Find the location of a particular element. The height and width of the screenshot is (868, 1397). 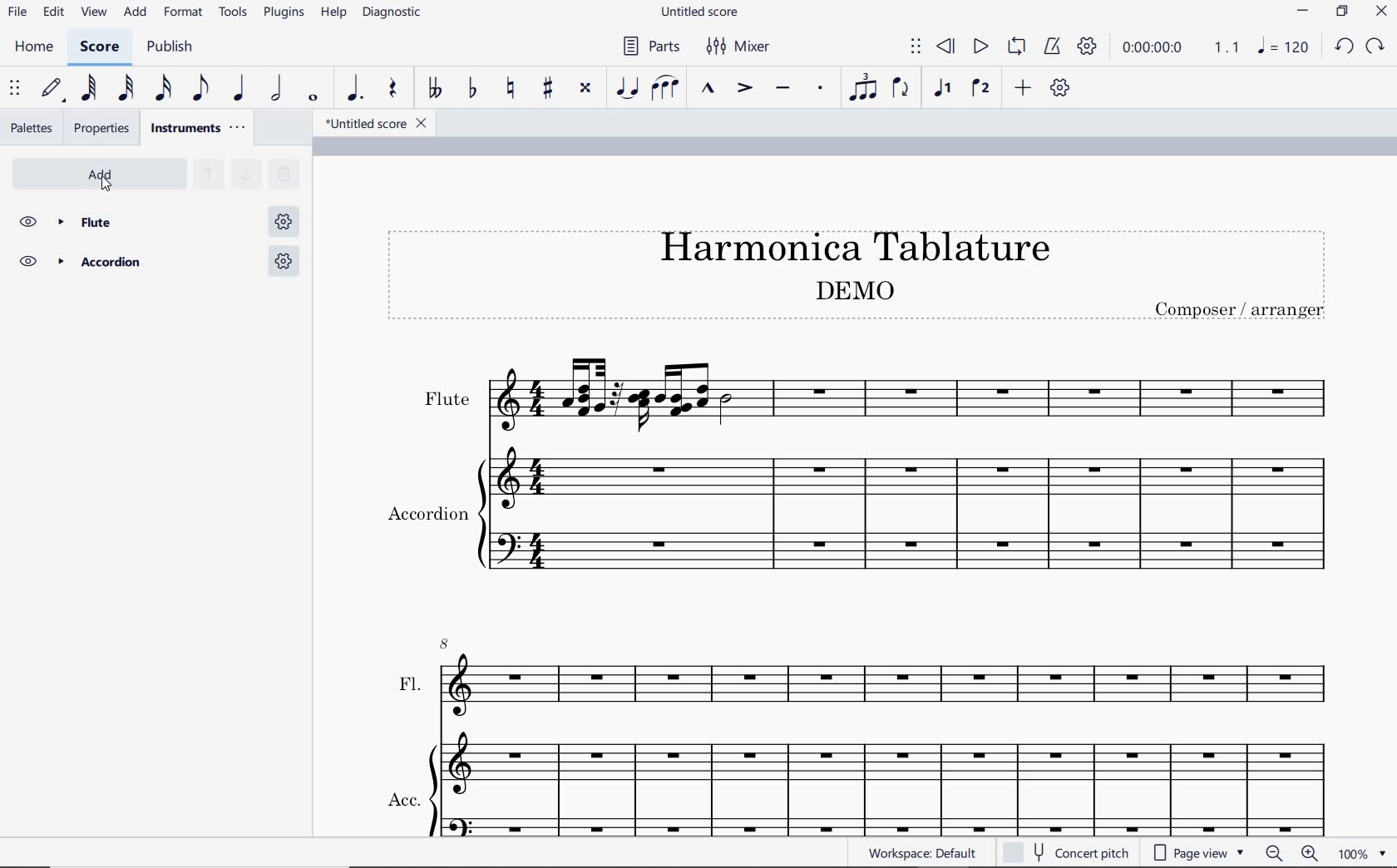

flute is located at coordinates (159, 220).